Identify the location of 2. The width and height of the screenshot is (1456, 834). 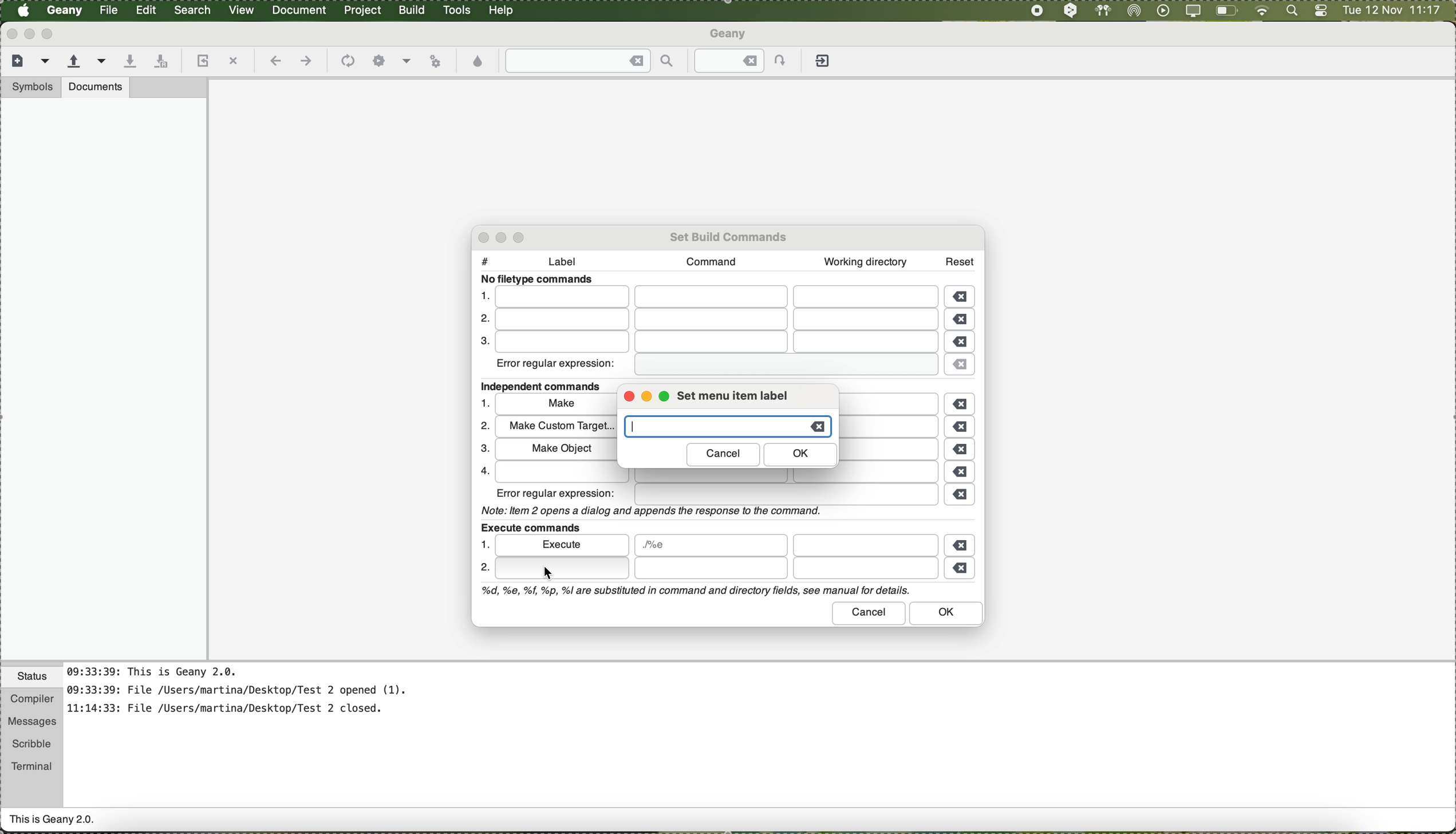
(483, 426).